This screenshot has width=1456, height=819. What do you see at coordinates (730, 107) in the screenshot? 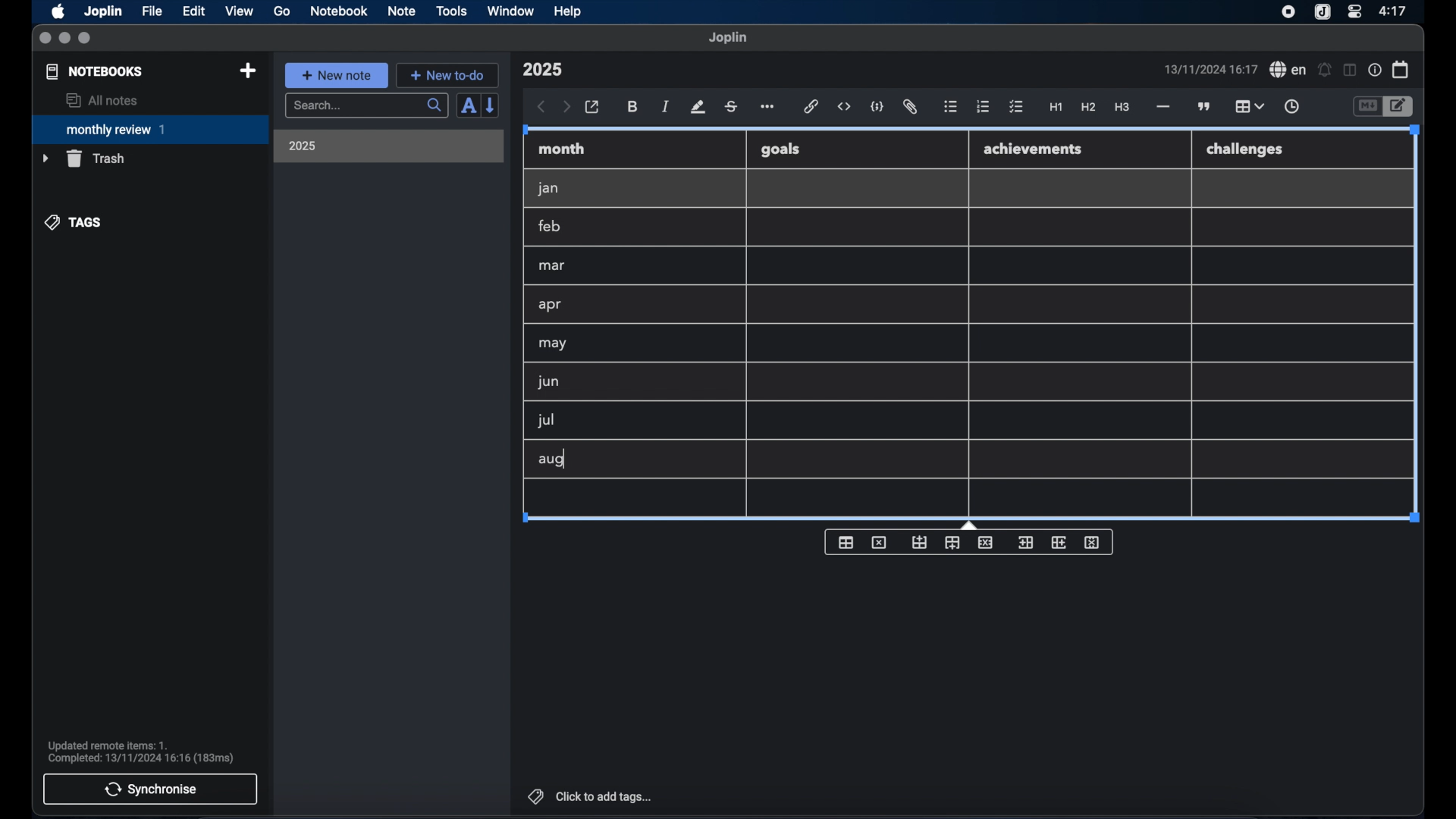
I see `strikethrough` at bounding box center [730, 107].